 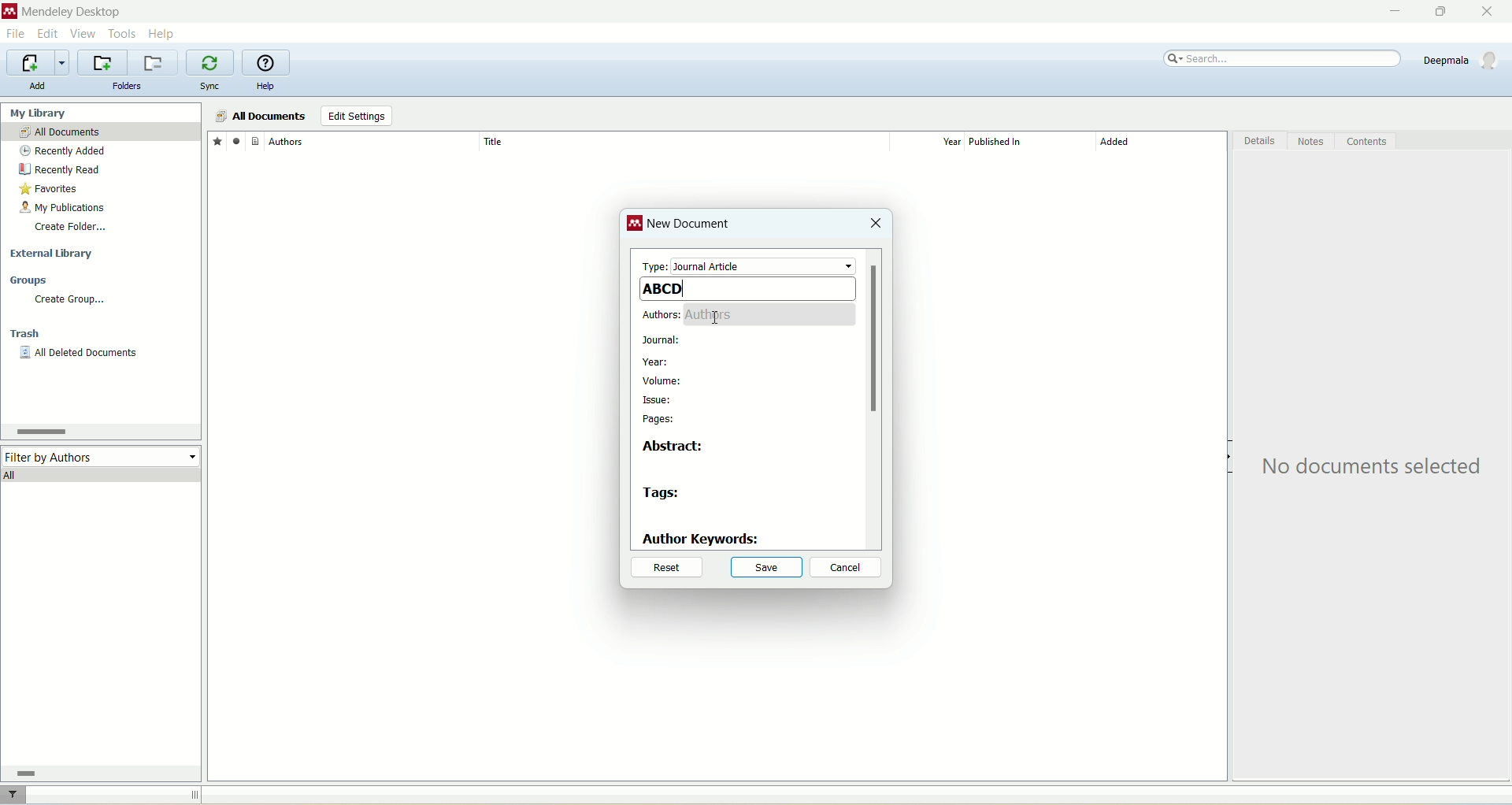 What do you see at coordinates (1366, 142) in the screenshot?
I see `content` at bounding box center [1366, 142].